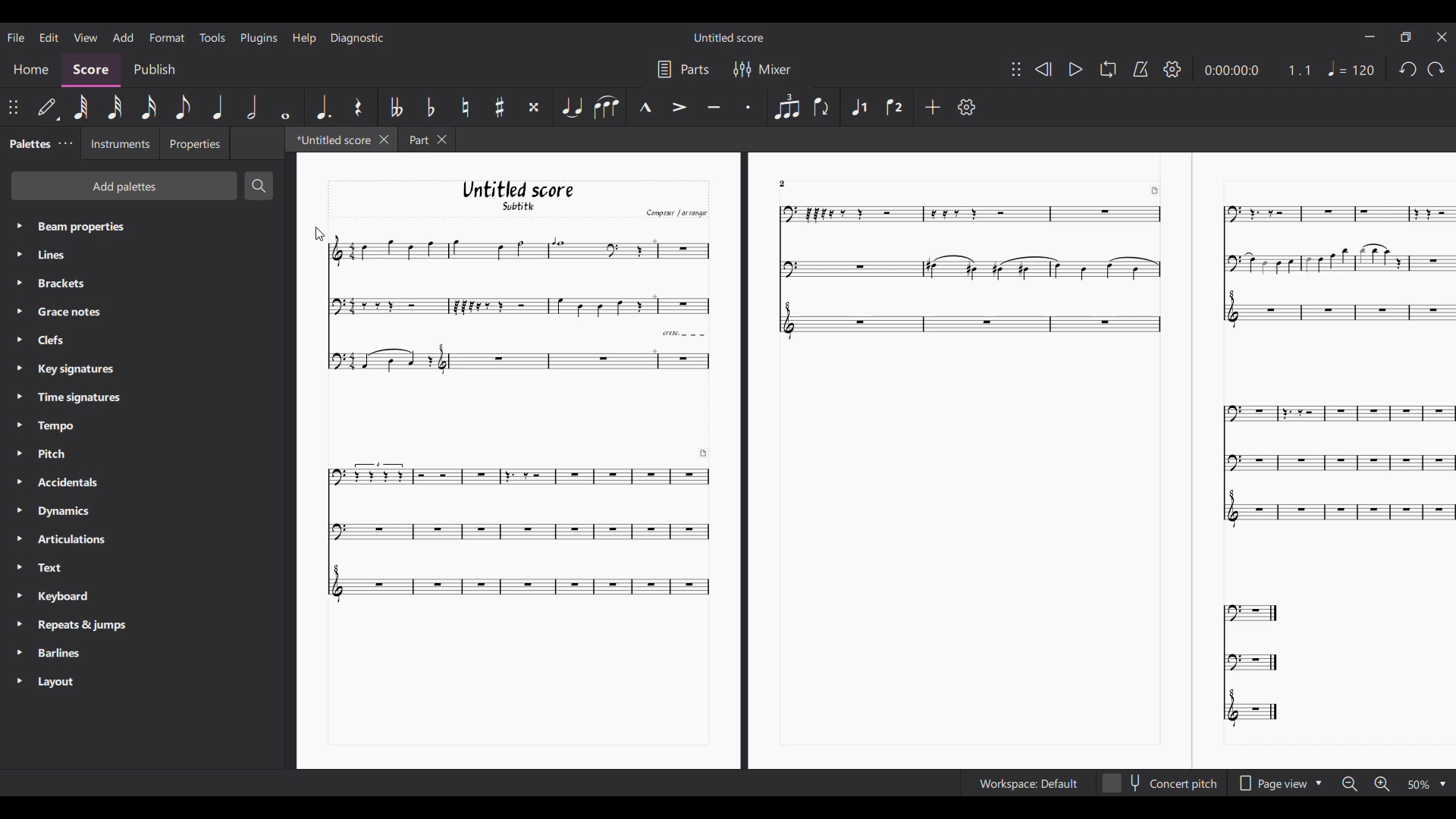 The width and height of the screenshot is (1456, 819). I want to click on Comput arrange, so click(673, 212).